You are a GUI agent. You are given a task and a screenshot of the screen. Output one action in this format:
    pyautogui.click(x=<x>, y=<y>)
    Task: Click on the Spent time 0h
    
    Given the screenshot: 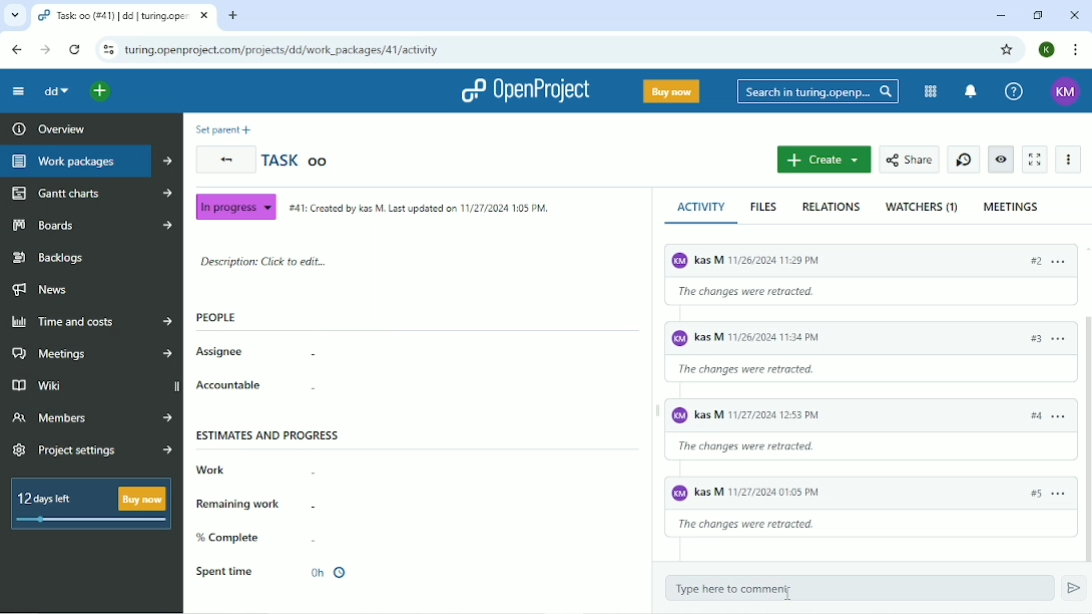 What is the action you would take?
    pyautogui.click(x=272, y=573)
    